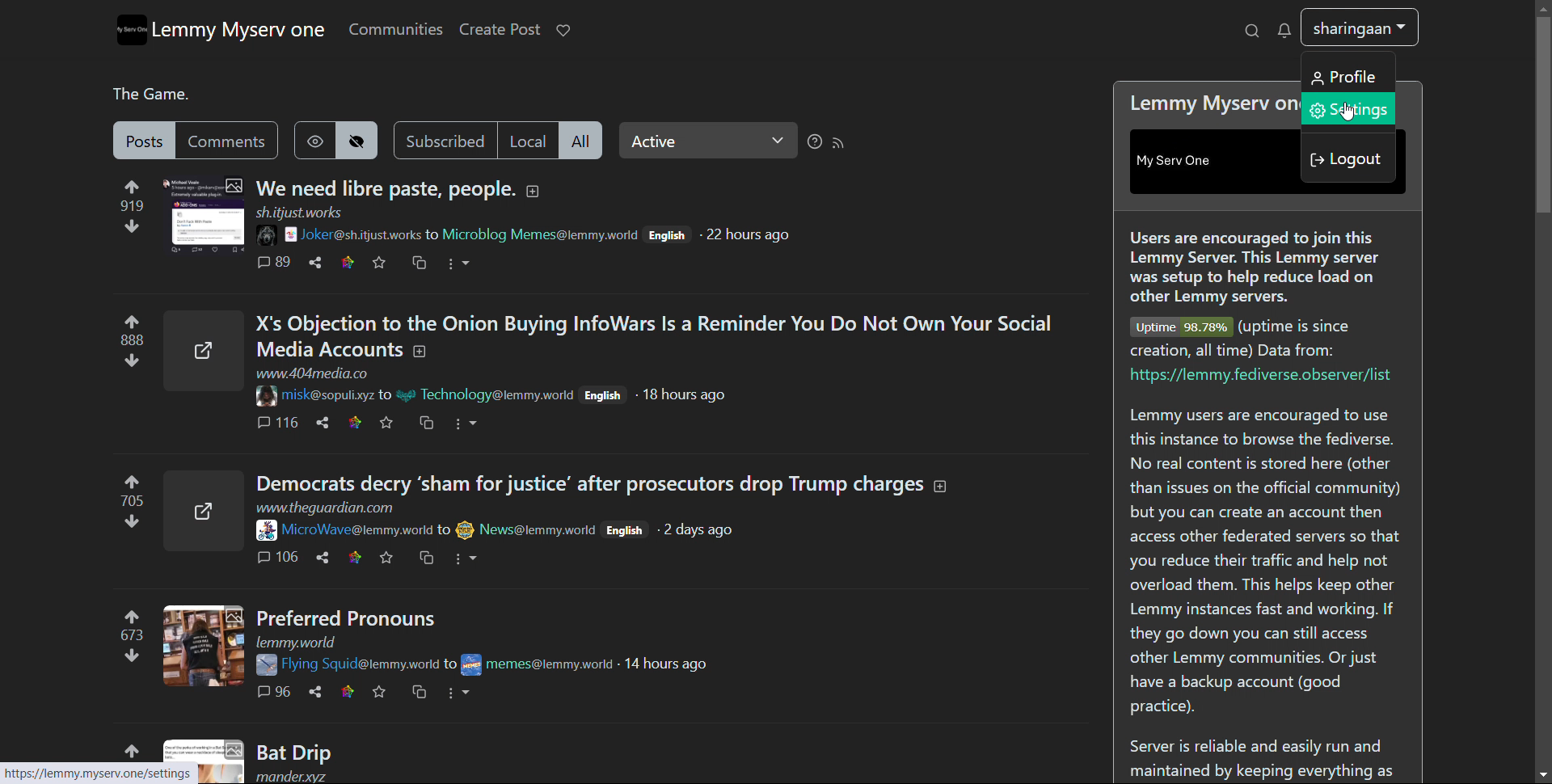 The width and height of the screenshot is (1552, 784). I want to click on 116 comments, so click(280, 421).